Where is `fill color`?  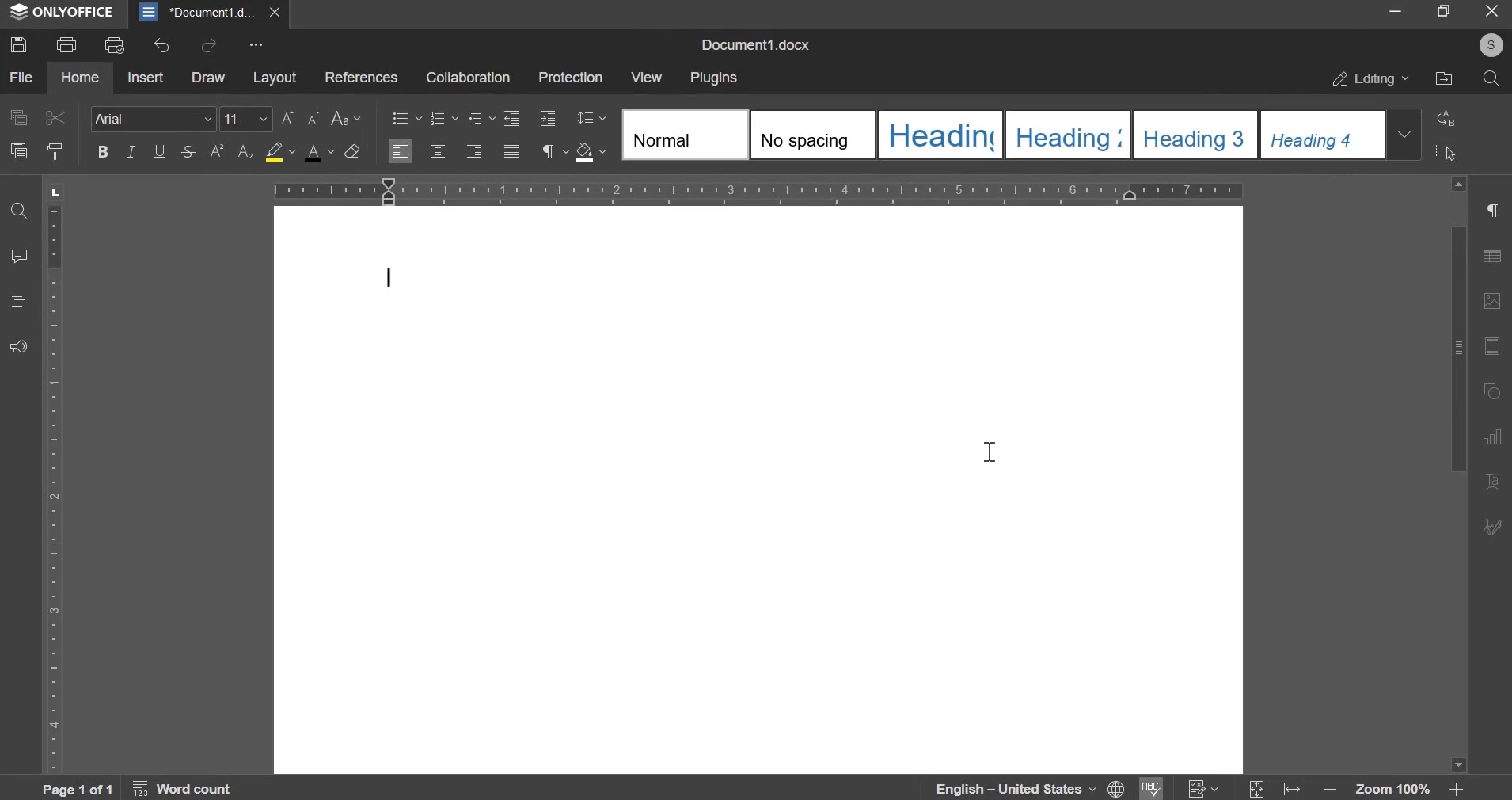
fill color is located at coordinates (279, 153).